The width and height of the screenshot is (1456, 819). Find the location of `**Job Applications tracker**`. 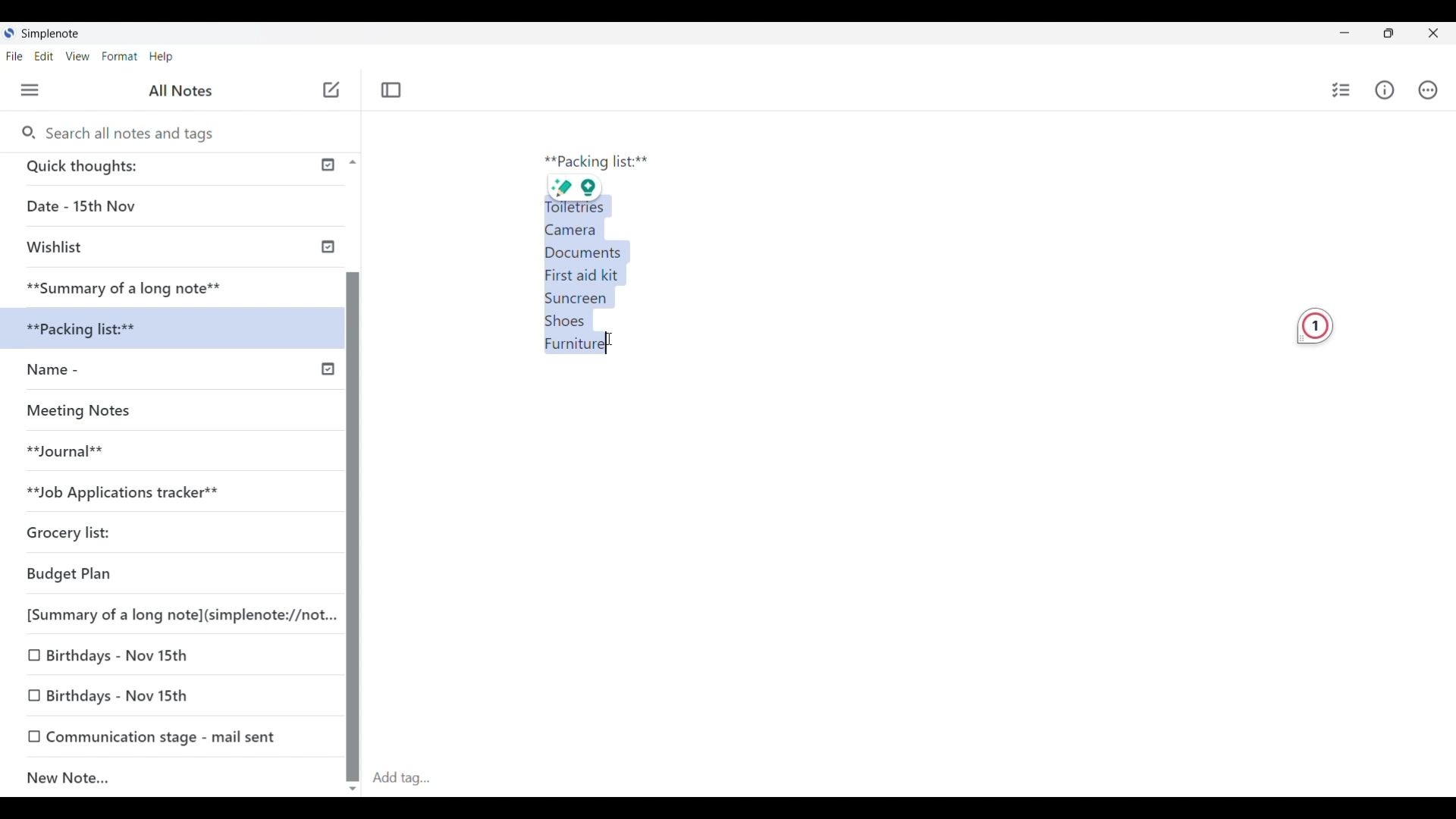

**Job Applications tracker** is located at coordinates (156, 492).